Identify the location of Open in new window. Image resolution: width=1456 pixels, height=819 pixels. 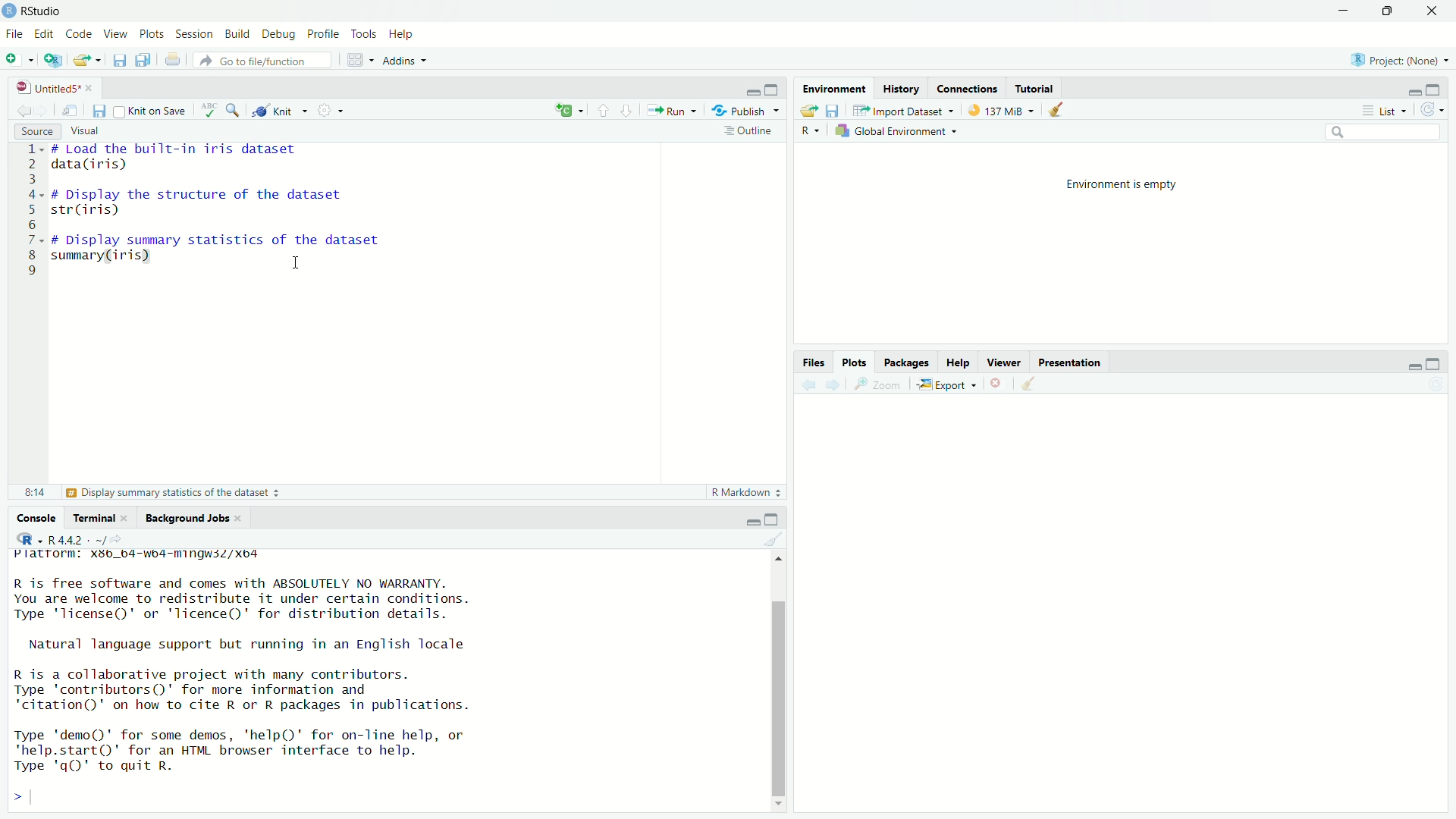
(71, 109).